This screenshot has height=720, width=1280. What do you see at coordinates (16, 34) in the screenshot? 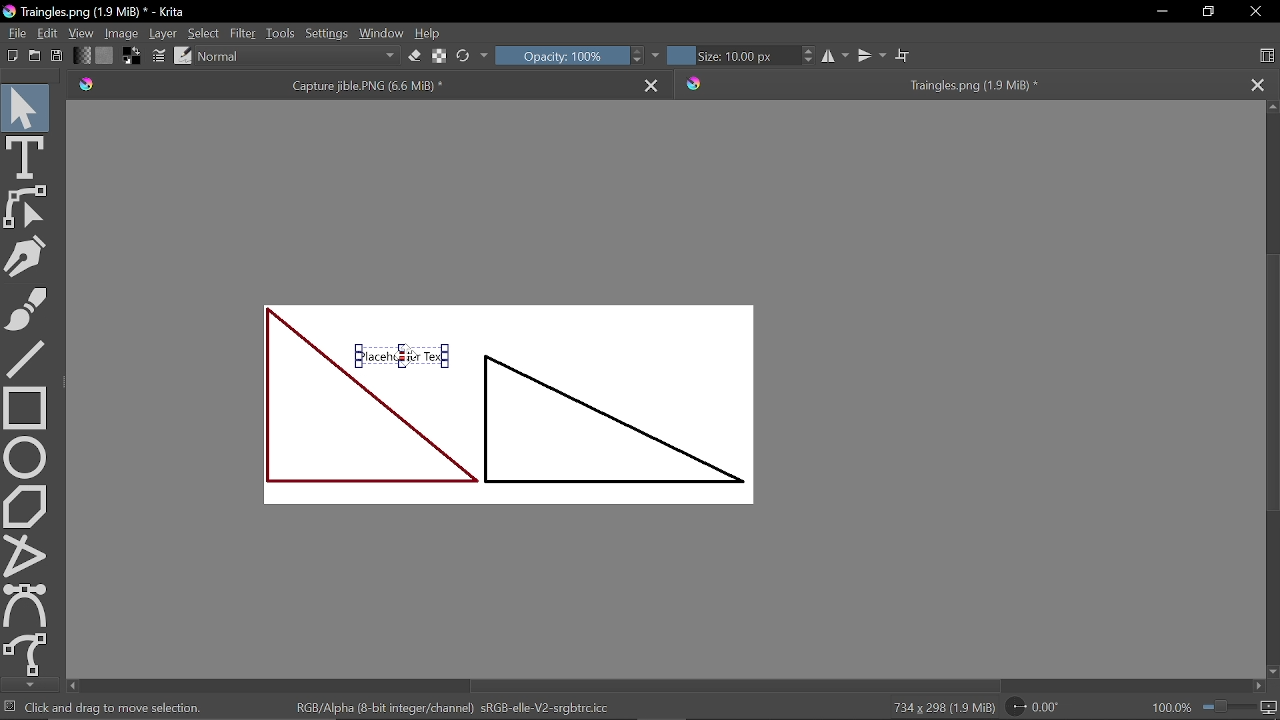
I see `File` at bounding box center [16, 34].